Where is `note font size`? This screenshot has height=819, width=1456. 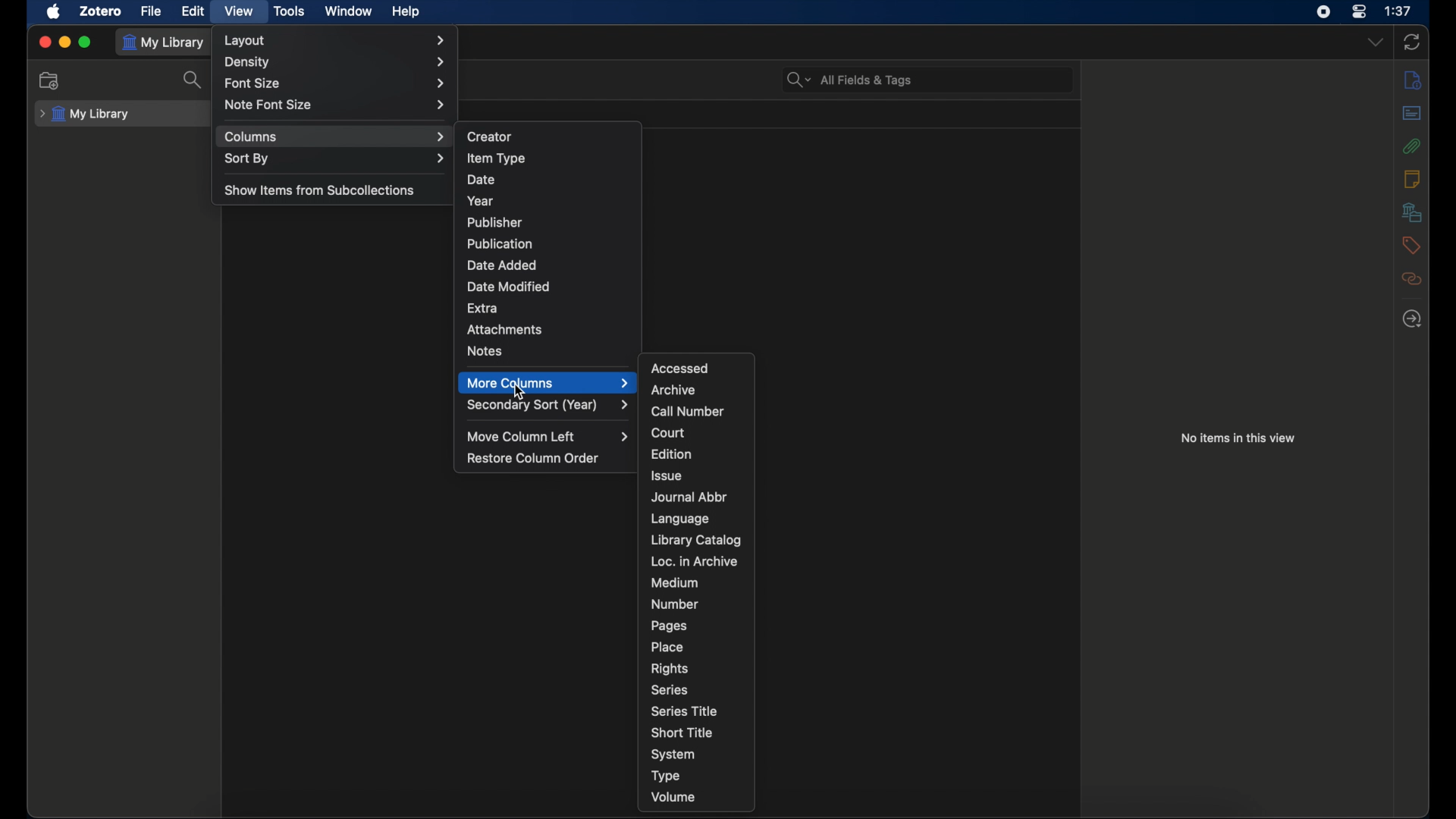
note font size is located at coordinates (337, 105).